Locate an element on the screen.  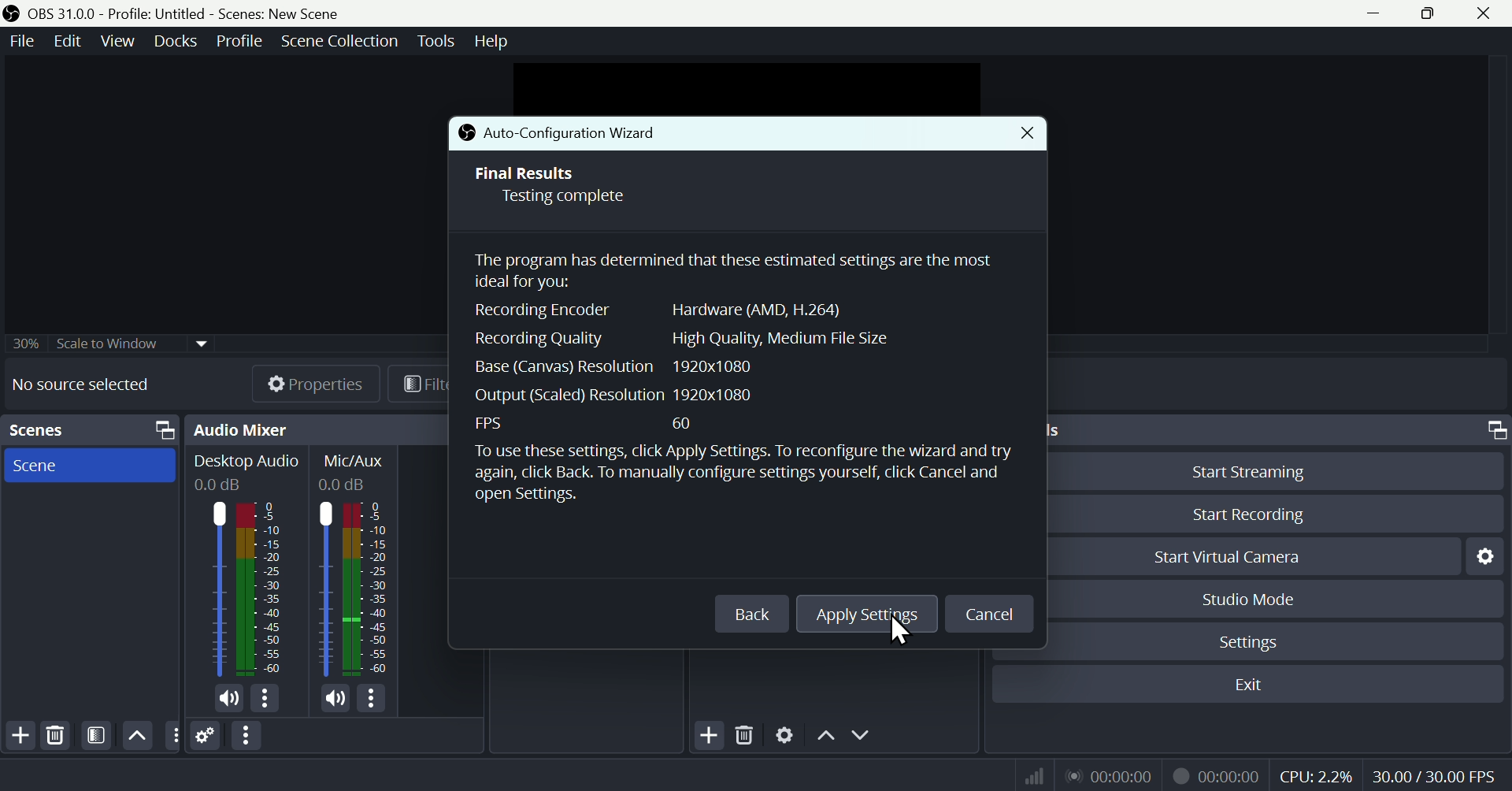
The program has determined that these estimated settings are the most
ideal for you:

Recording Encoder Hardware (AMD, H.264)

Recording Quality High Quality, Medium File Size

Base (Canvas) Resolution 1920x1080

Output (Scaled) Resolution 1920x1080

FPS 60

To use these settings, click Apply Settings. To reconfigure the wizard and try
again, click Back. To manually configure settings yourself, click Cancel and
open Settings. is located at coordinates (747, 406).